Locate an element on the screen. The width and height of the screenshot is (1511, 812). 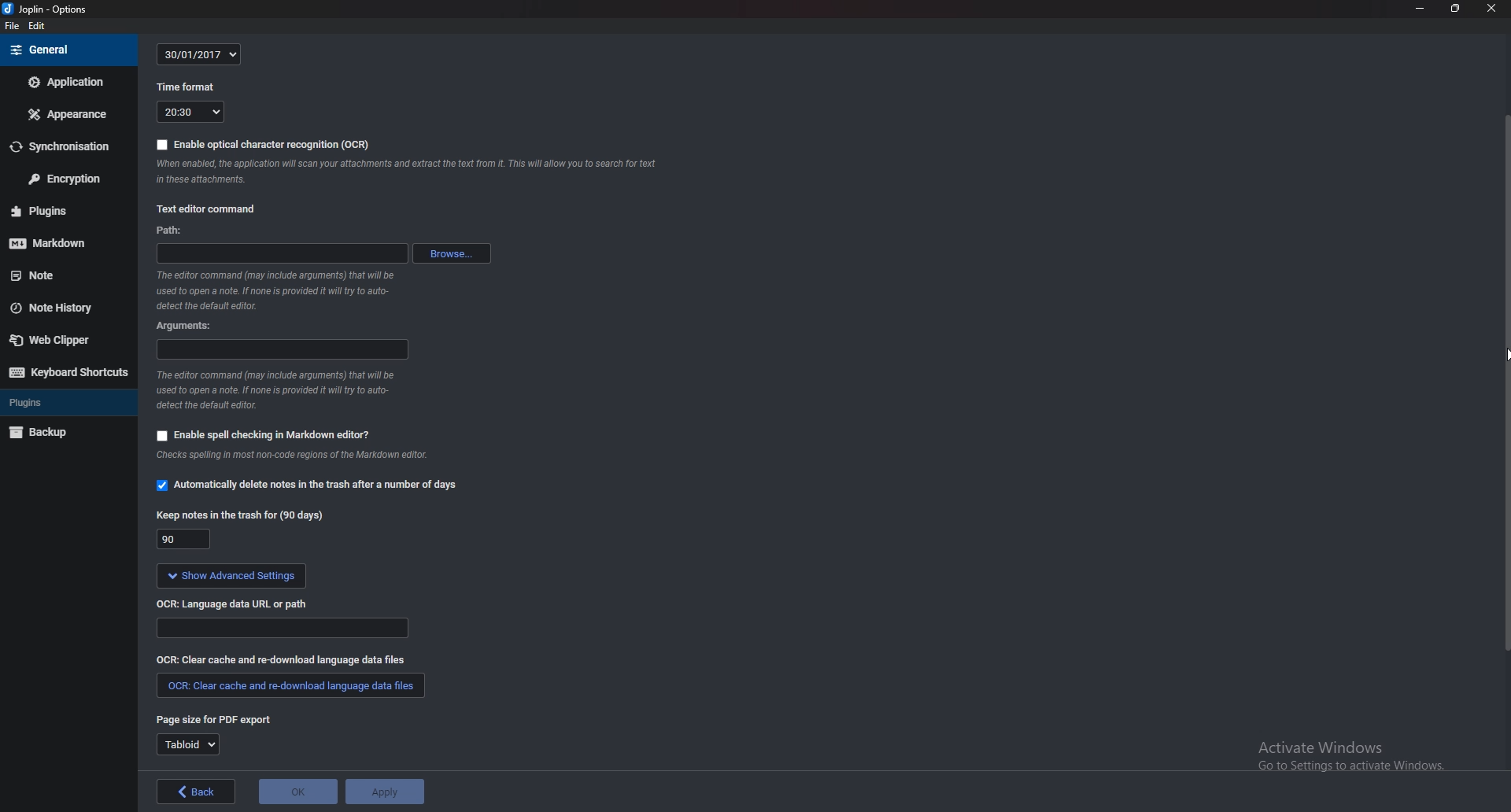
note is located at coordinates (54, 275).